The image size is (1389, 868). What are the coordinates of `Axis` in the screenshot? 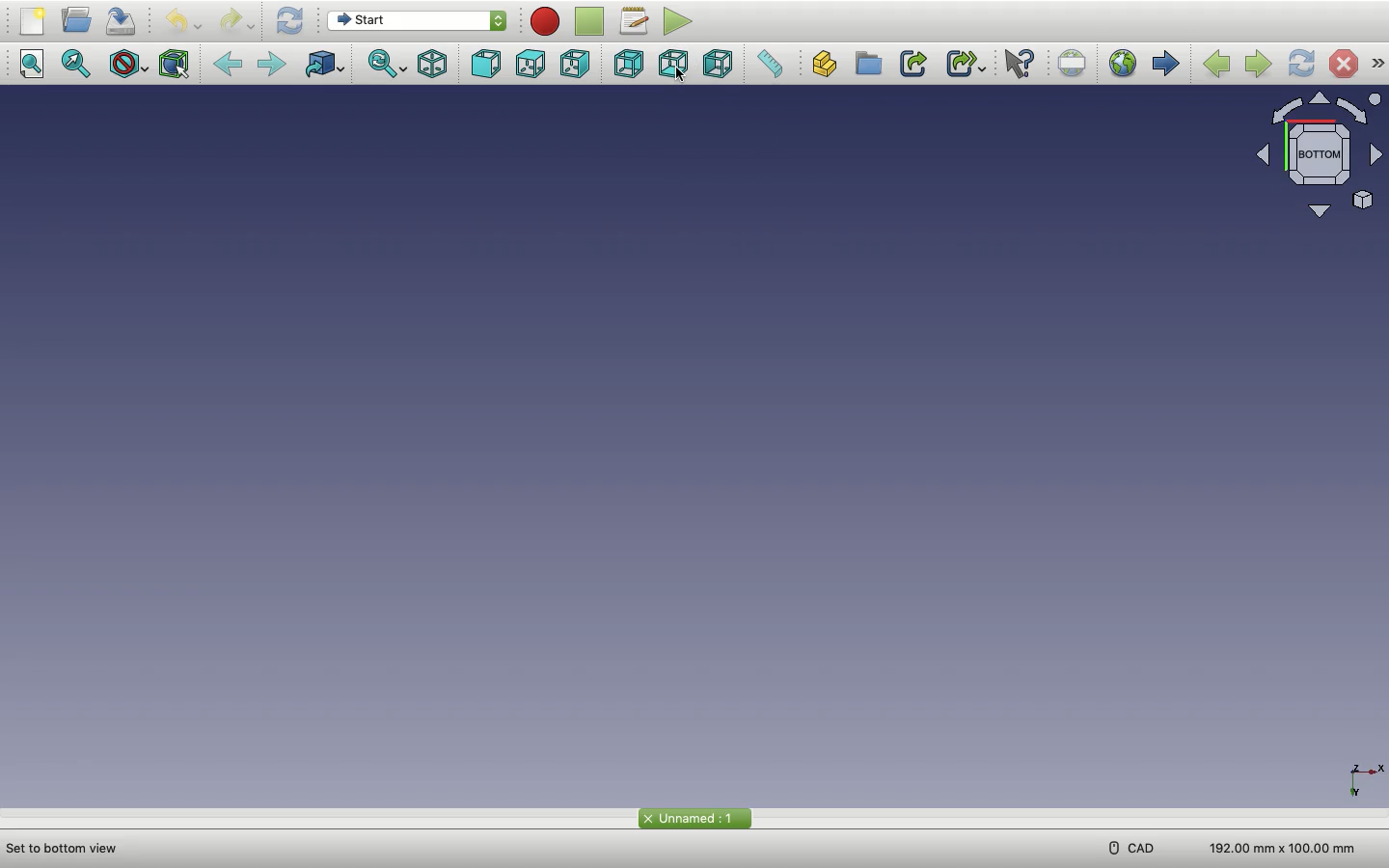 It's located at (1361, 762).